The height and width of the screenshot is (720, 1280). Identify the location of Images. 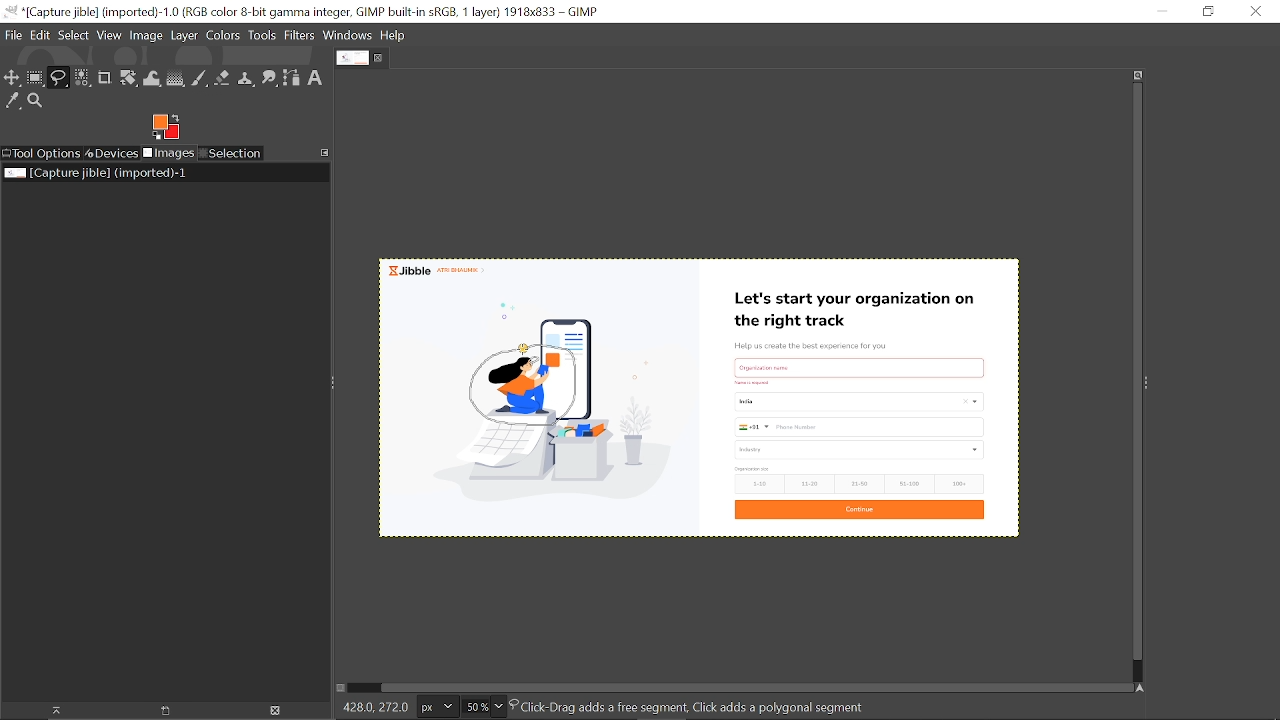
(170, 154).